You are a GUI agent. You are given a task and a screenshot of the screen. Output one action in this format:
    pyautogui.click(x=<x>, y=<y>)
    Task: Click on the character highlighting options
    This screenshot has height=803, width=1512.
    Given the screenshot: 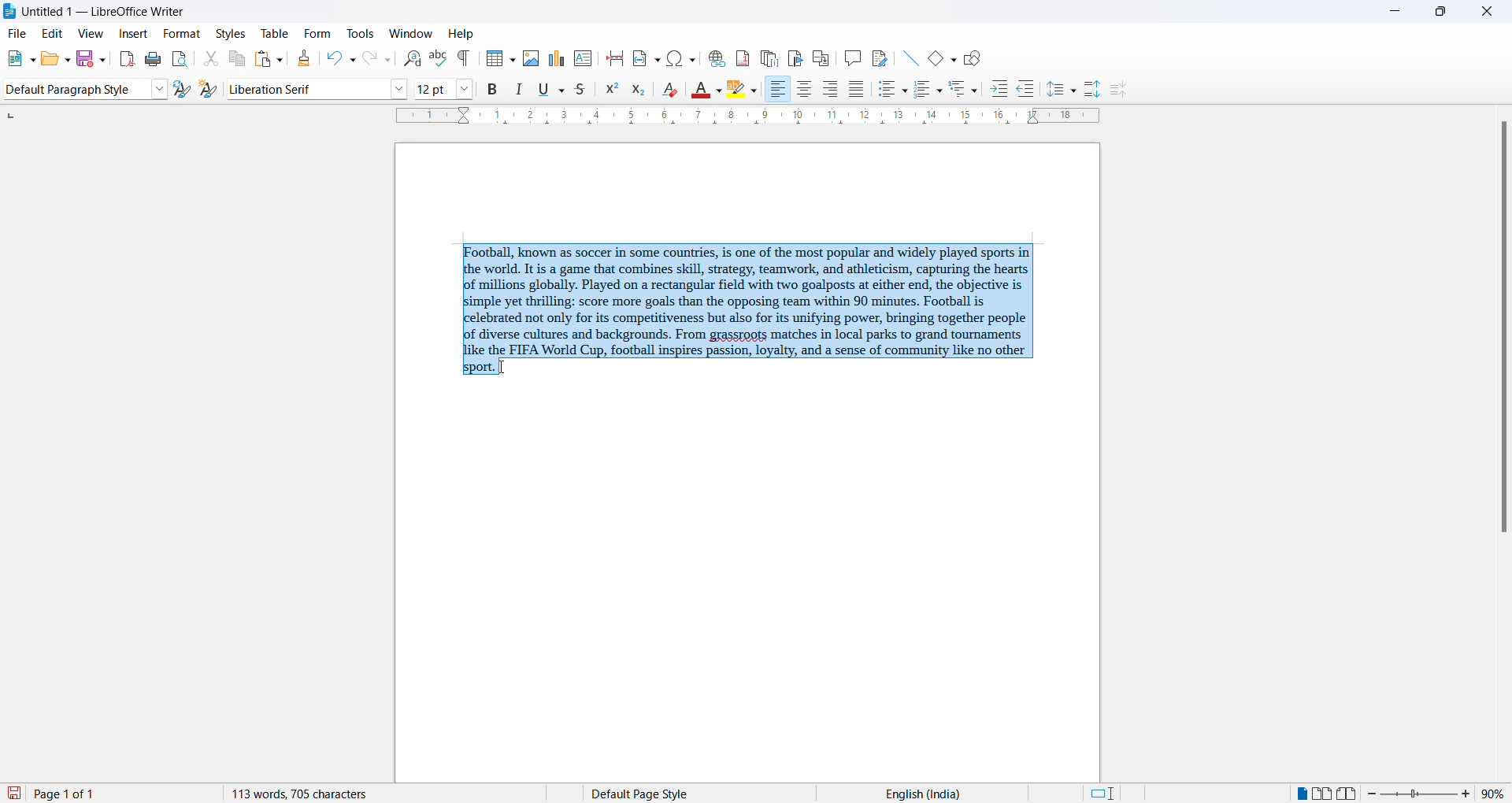 What is the action you would take?
    pyautogui.click(x=755, y=91)
    